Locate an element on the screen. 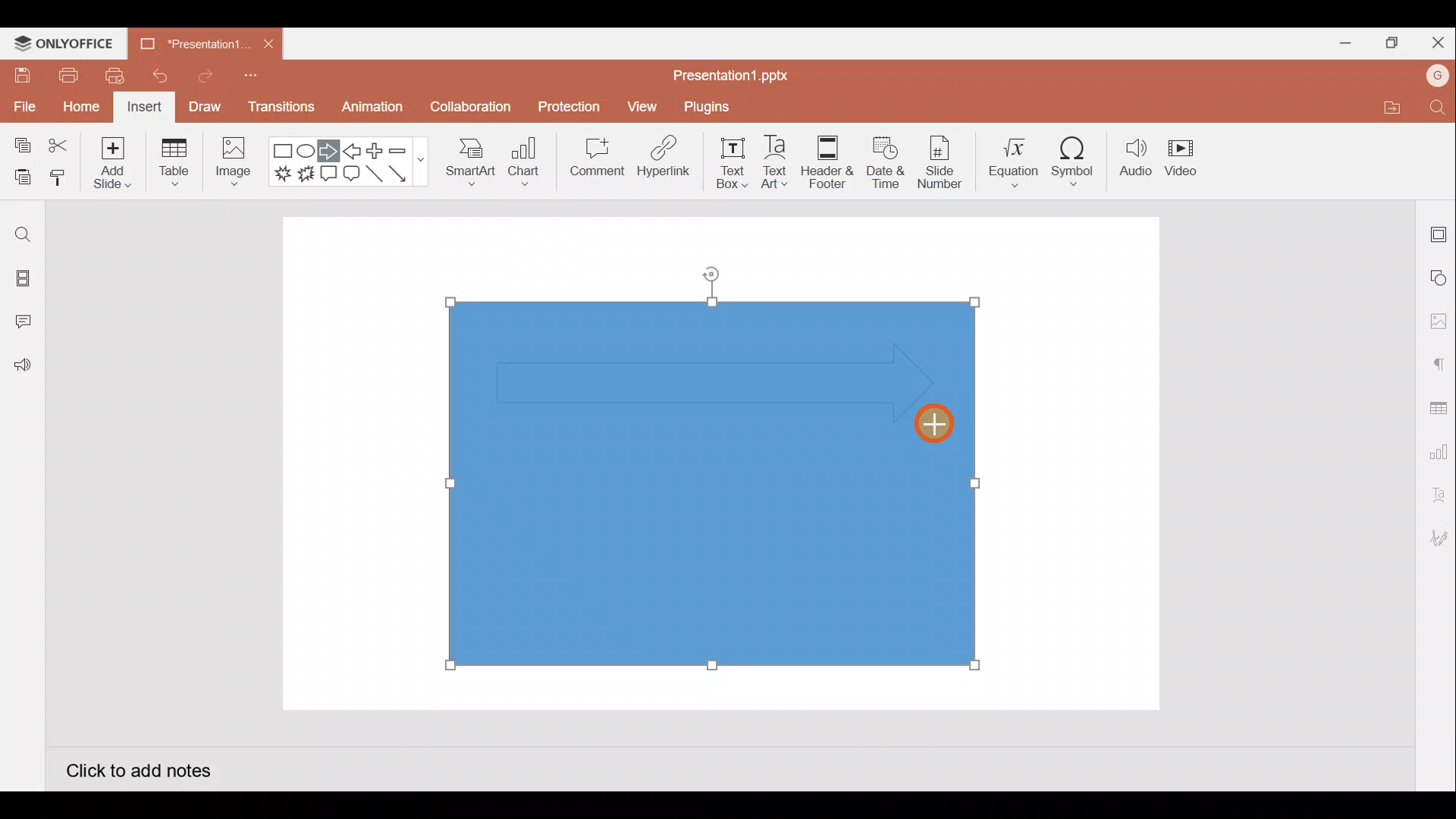 The height and width of the screenshot is (819, 1456). Hyperlink is located at coordinates (660, 158).